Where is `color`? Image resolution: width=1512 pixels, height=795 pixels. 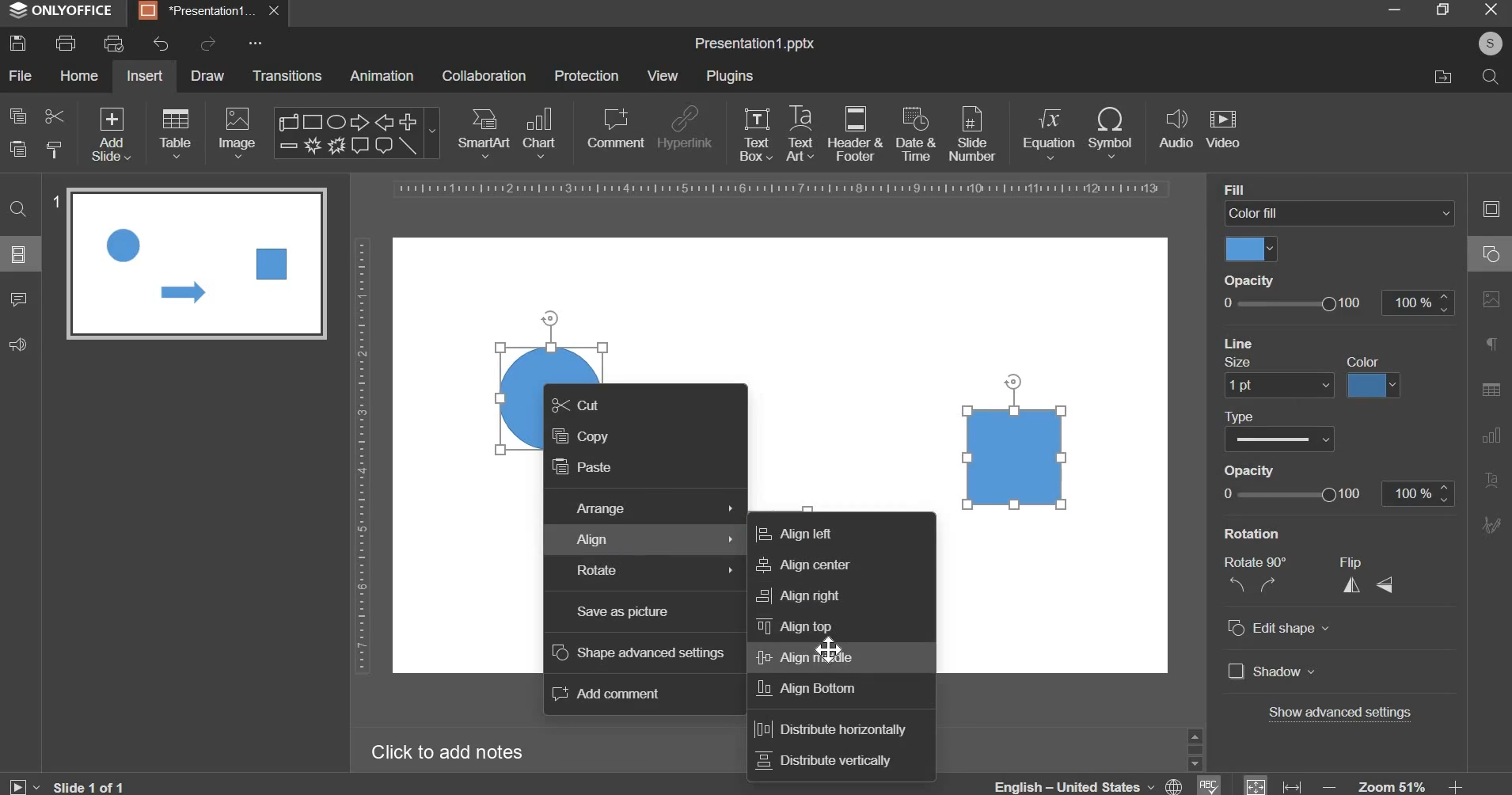
color is located at coordinates (1369, 360).